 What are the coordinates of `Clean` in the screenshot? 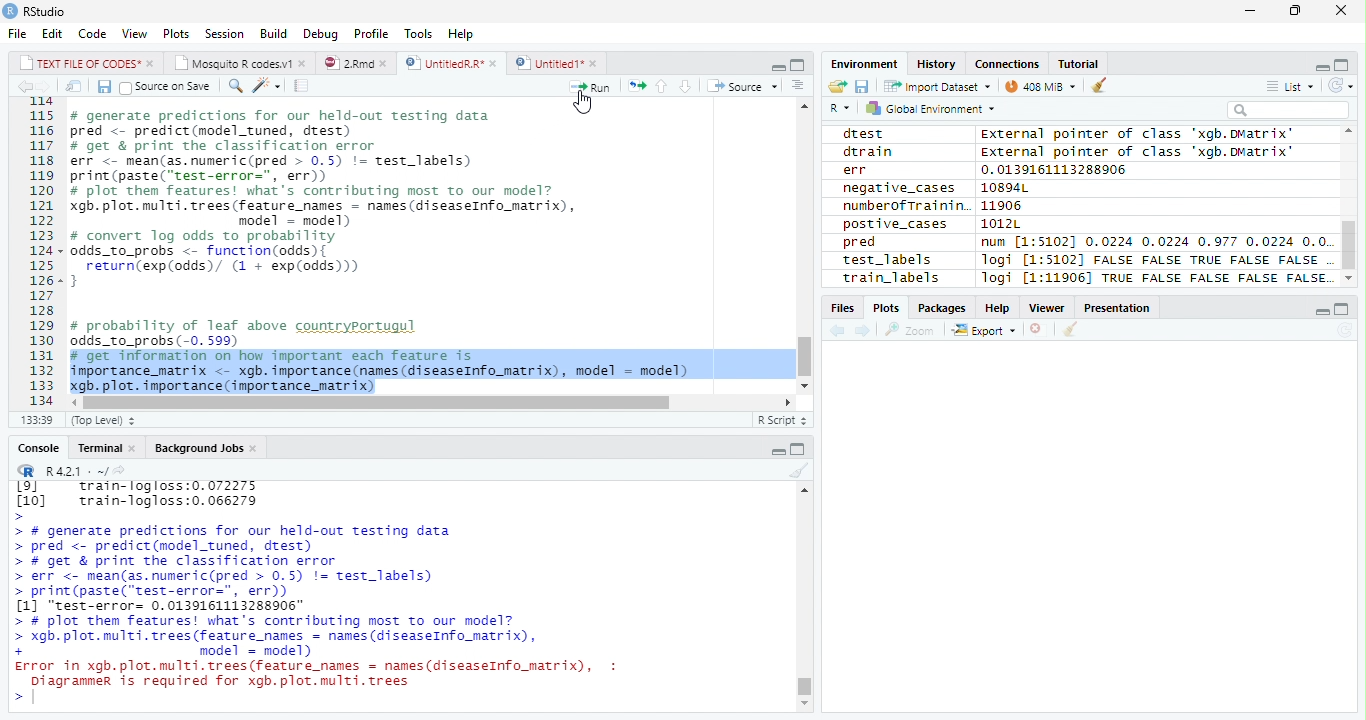 It's located at (795, 471).